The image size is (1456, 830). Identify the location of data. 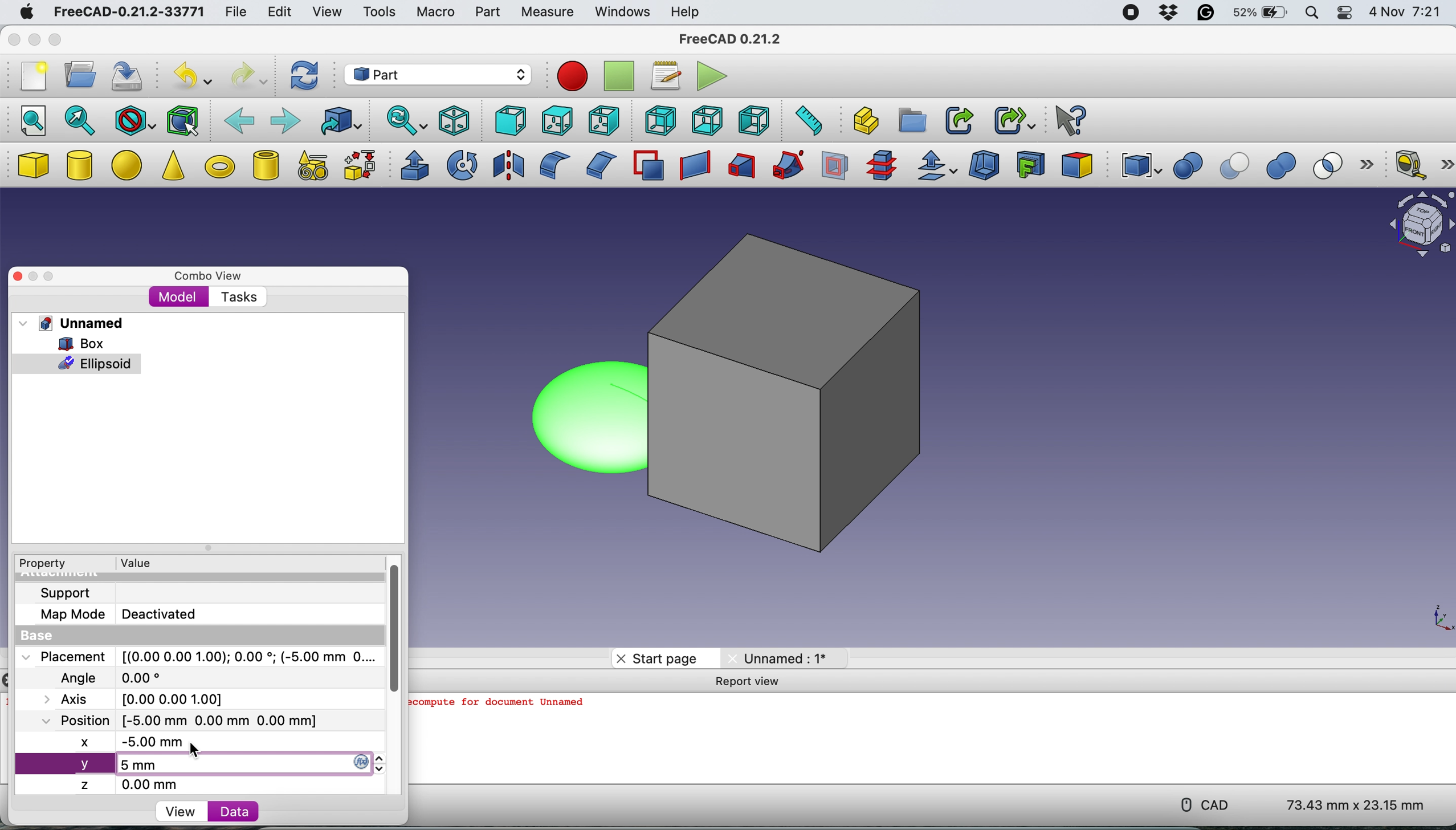
(227, 811).